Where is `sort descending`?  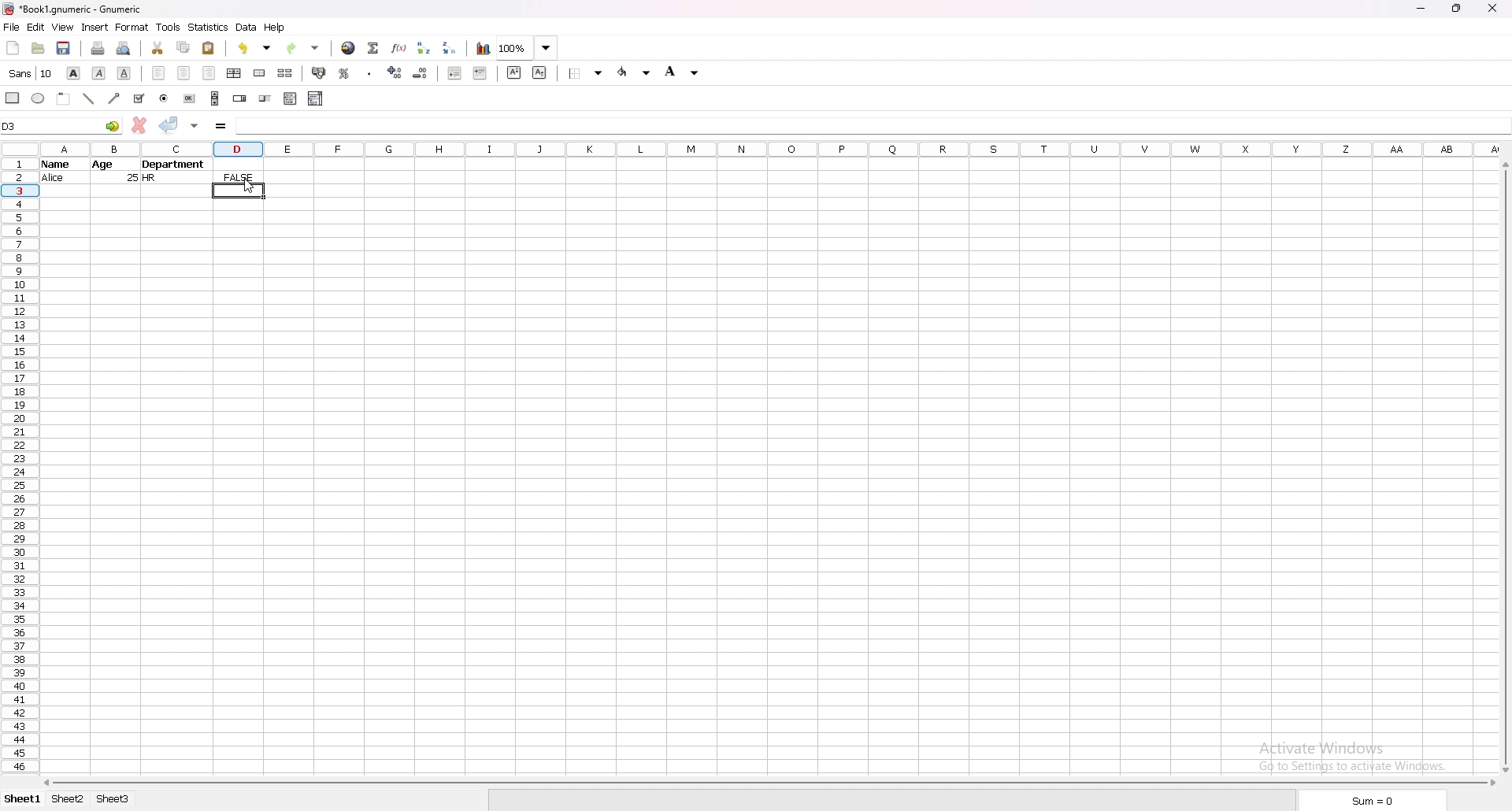 sort descending is located at coordinates (450, 47).